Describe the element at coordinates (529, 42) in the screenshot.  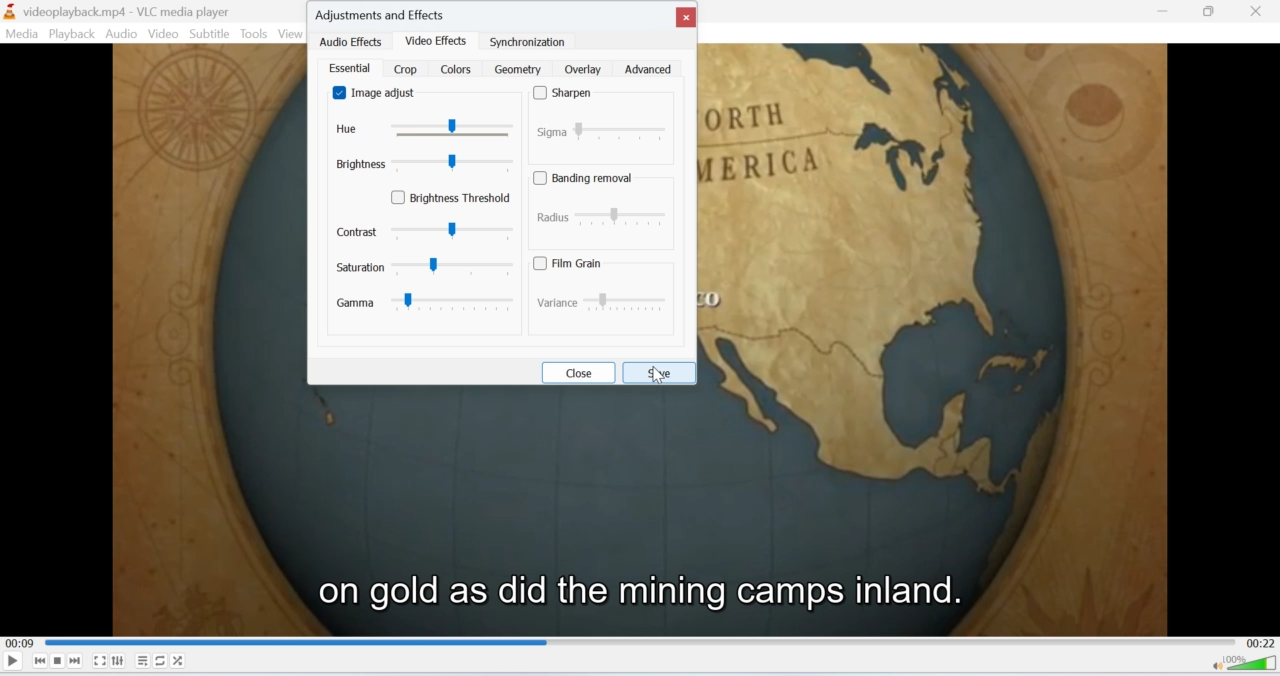
I see `synchronization` at that location.